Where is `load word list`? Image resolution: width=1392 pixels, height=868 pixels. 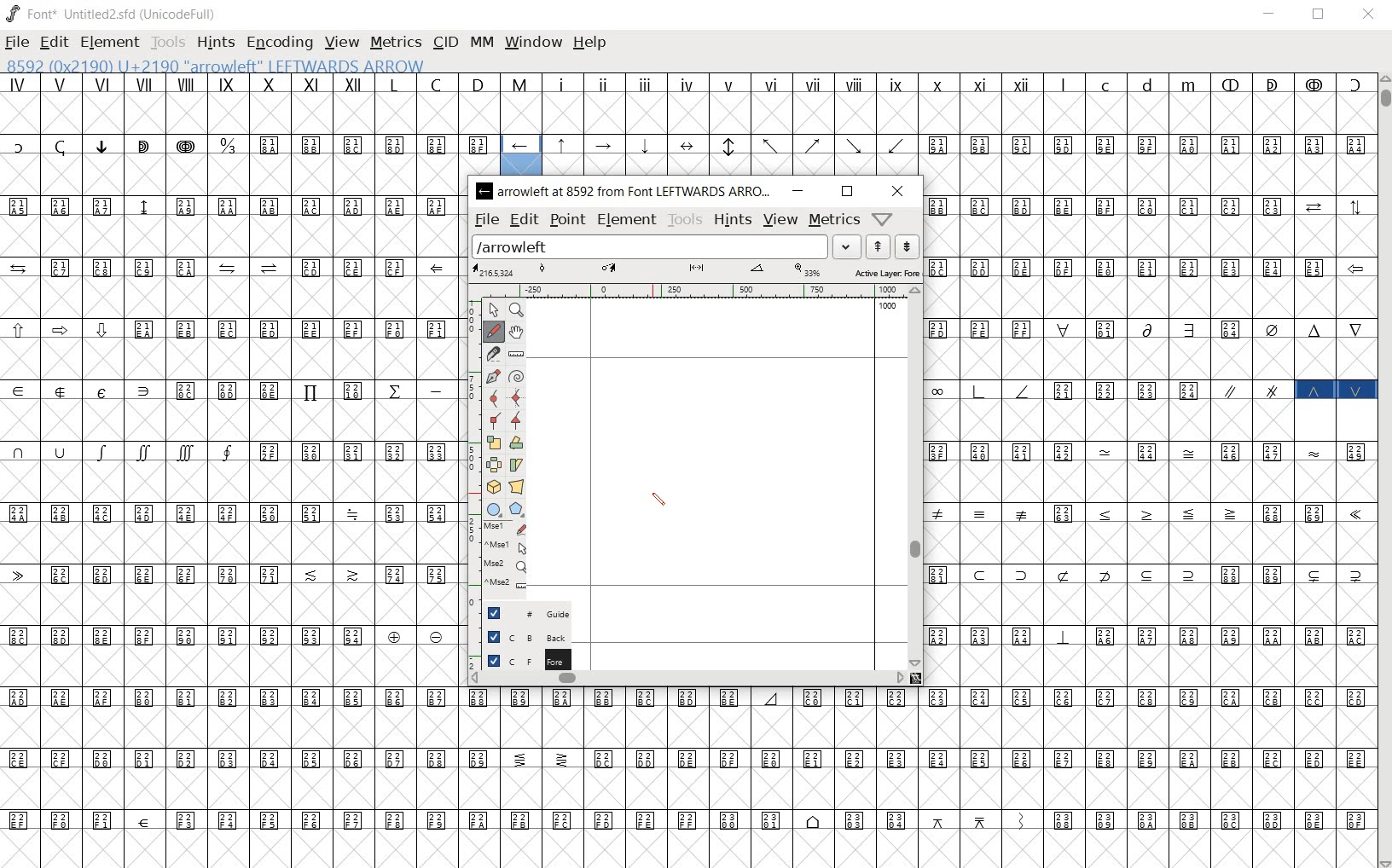
load word list is located at coordinates (667, 246).